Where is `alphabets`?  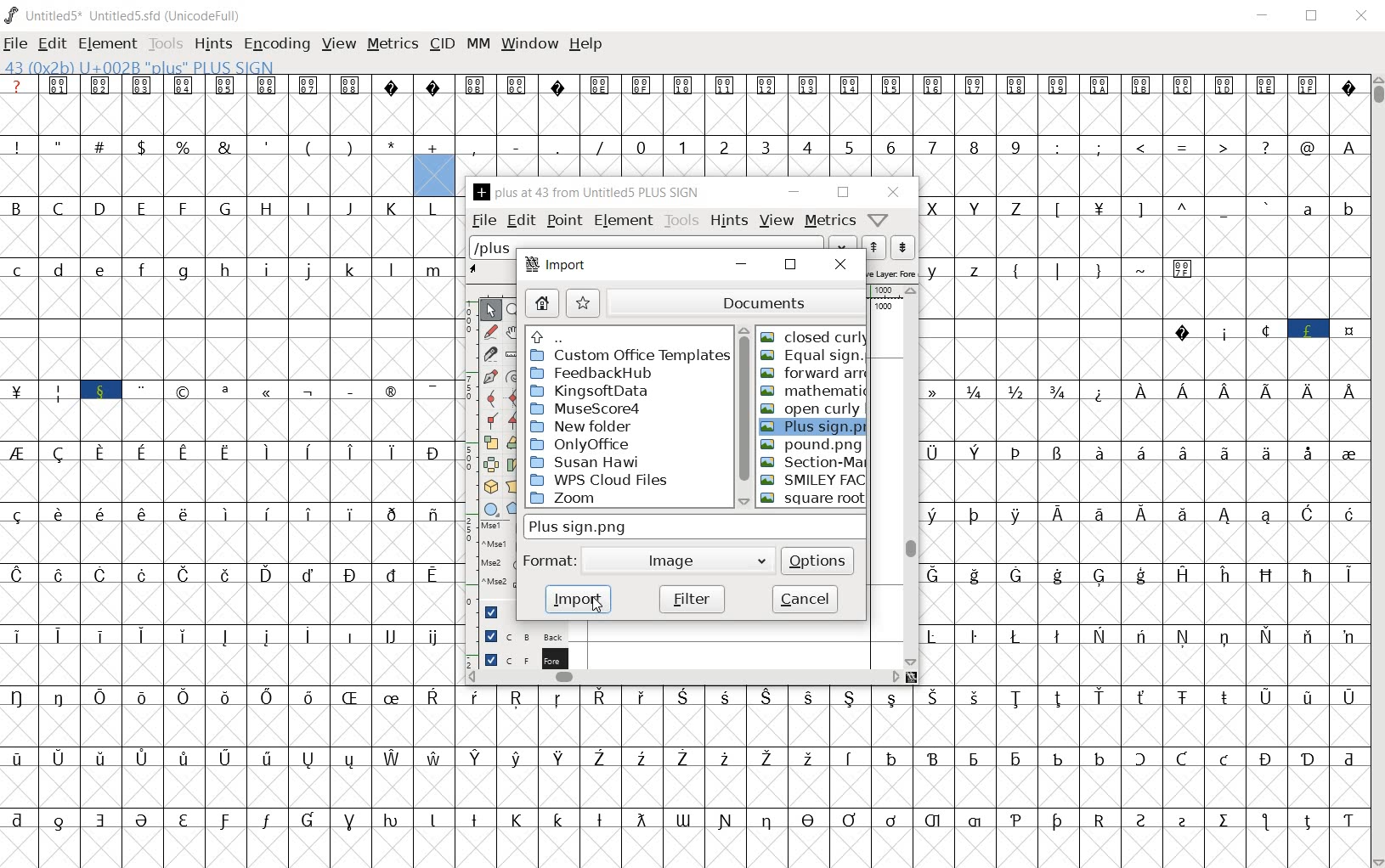 alphabets is located at coordinates (979, 228).